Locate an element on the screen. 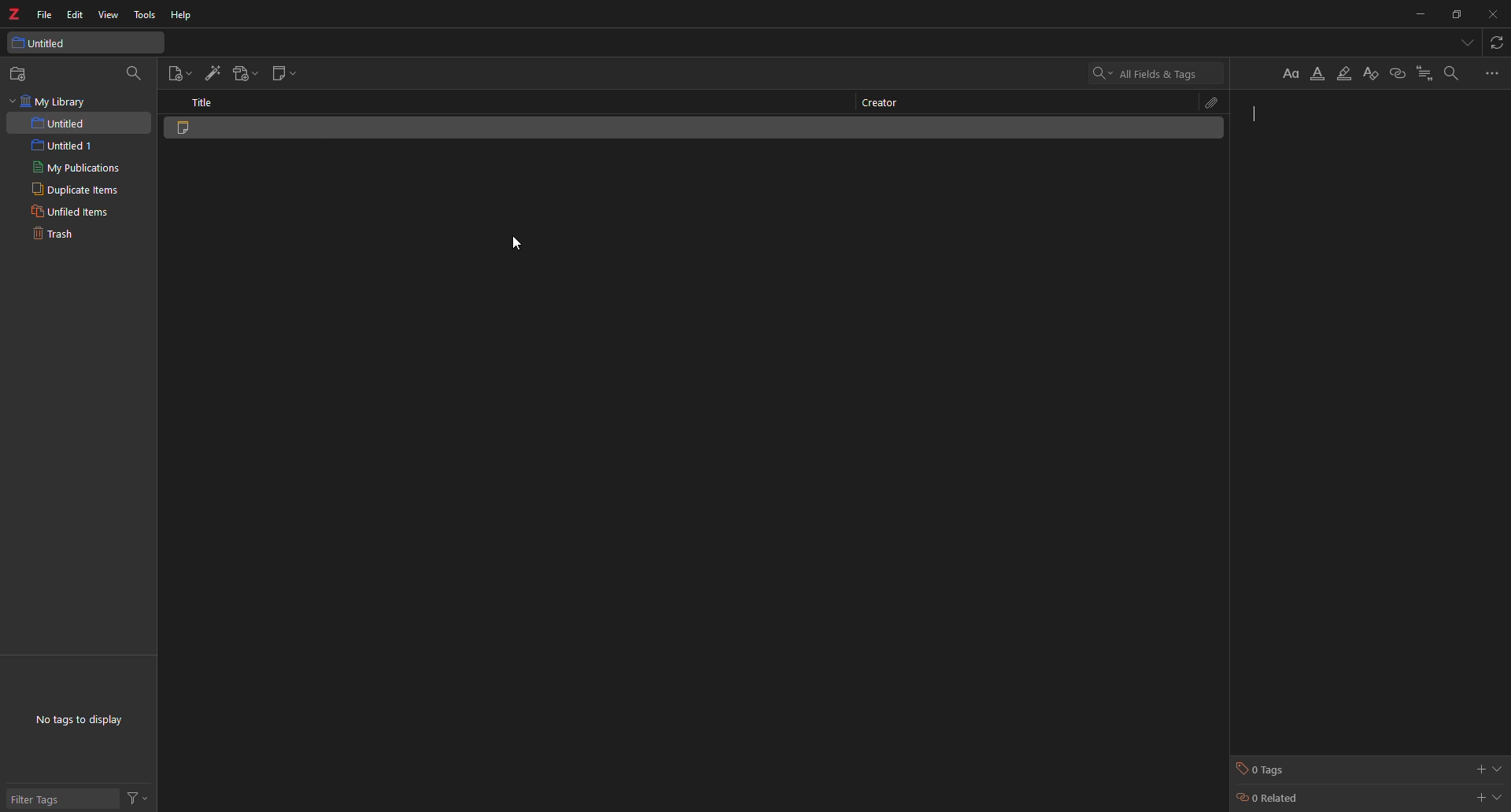 This screenshot has width=1511, height=812. sync is located at coordinates (1497, 42).